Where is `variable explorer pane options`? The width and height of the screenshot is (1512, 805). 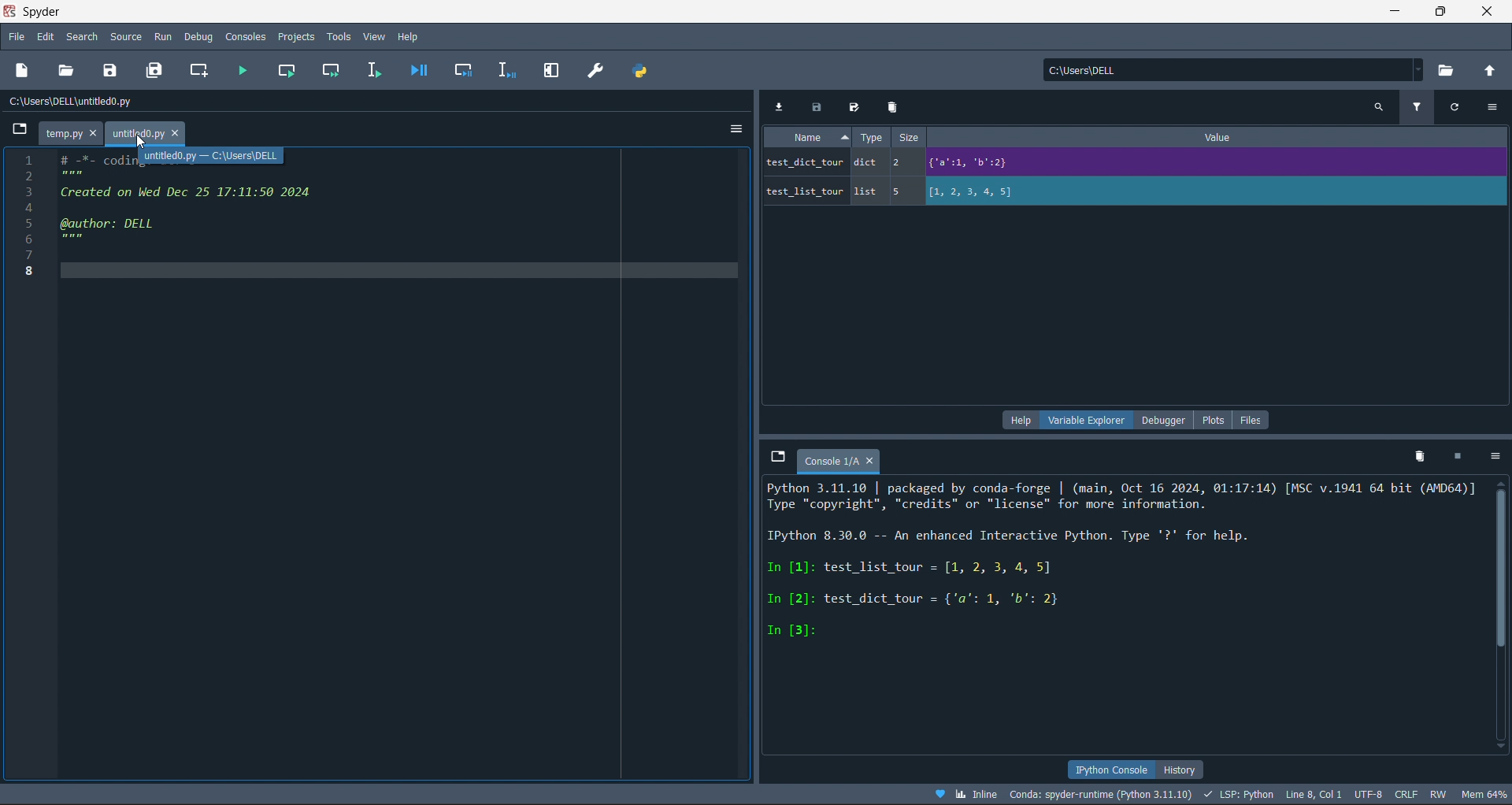 variable explorer pane options is located at coordinates (1080, 421).